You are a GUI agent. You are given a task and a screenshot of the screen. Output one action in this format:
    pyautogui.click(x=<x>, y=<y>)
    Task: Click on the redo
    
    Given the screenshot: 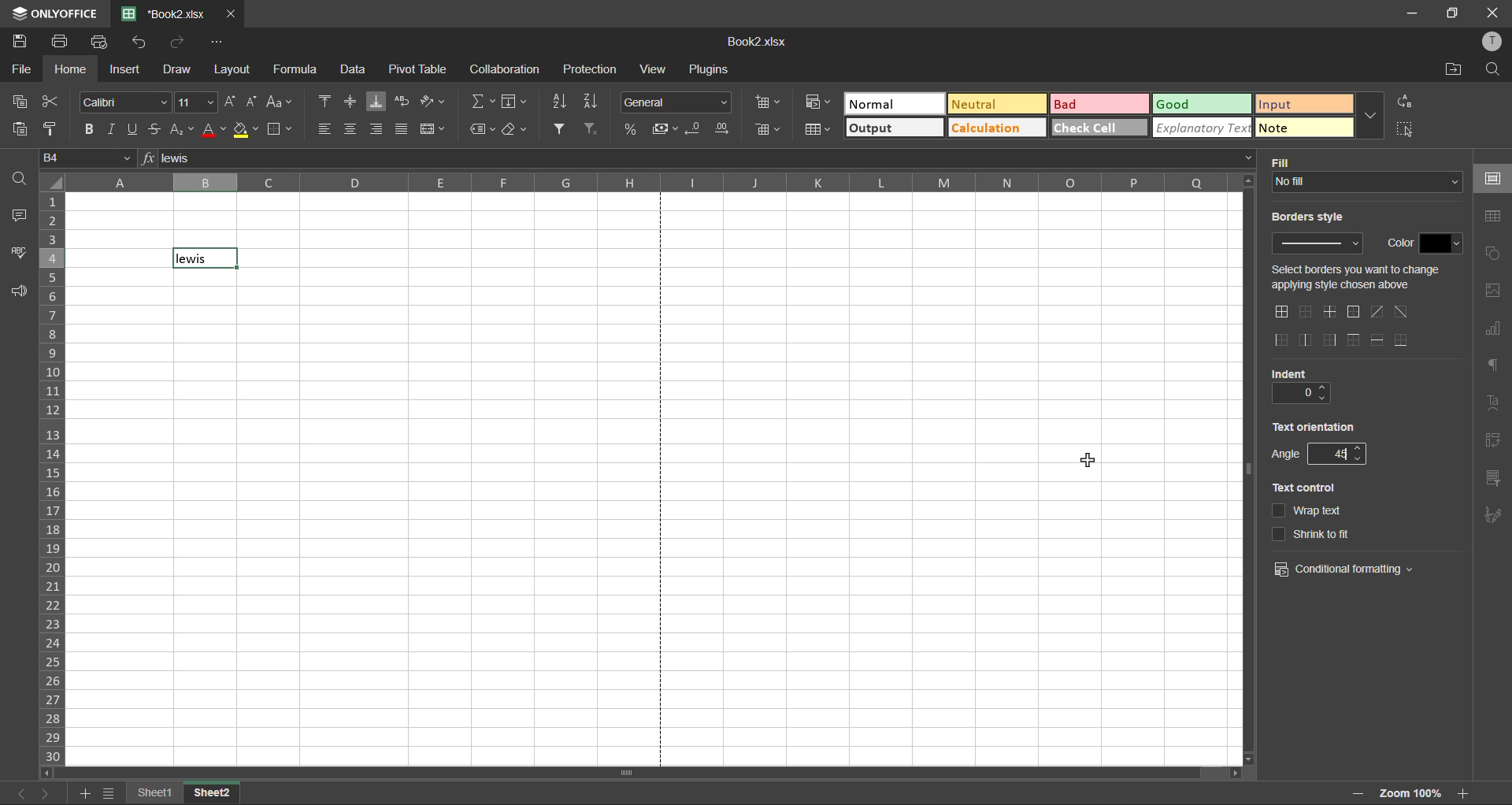 What is the action you would take?
    pyautogui.click(x=180, y=43)
    